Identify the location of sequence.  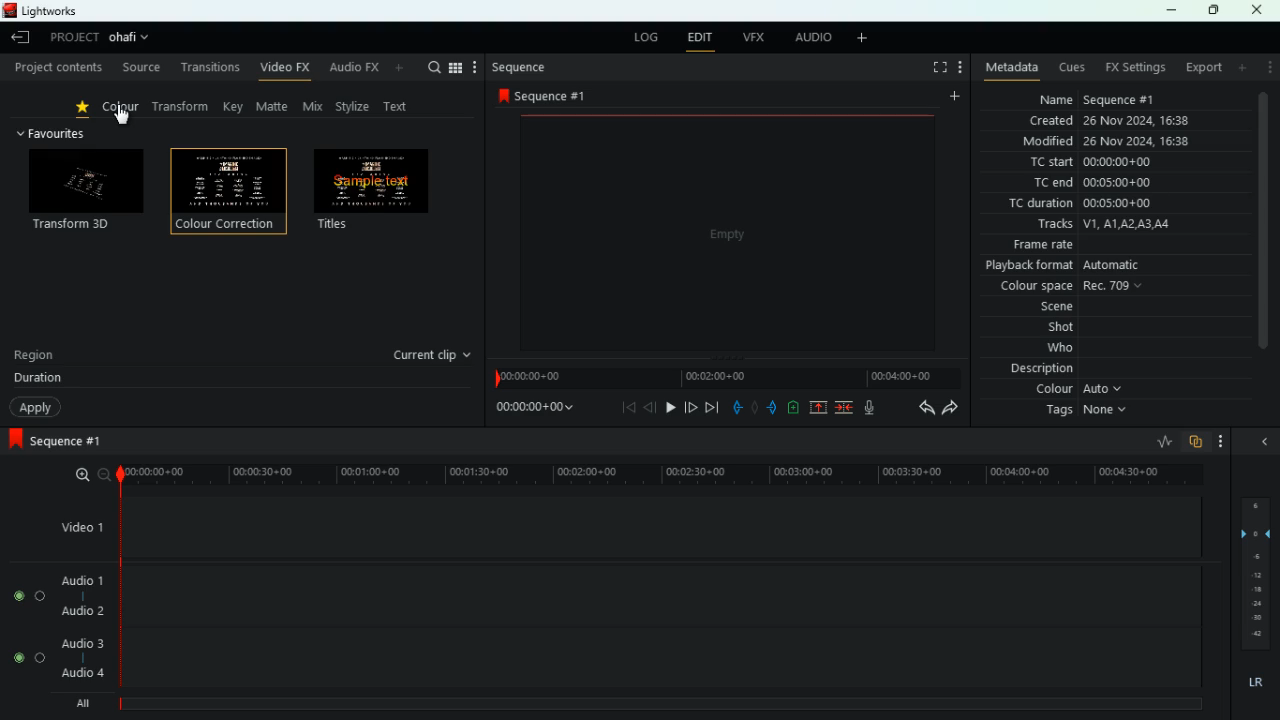
(549, 96).